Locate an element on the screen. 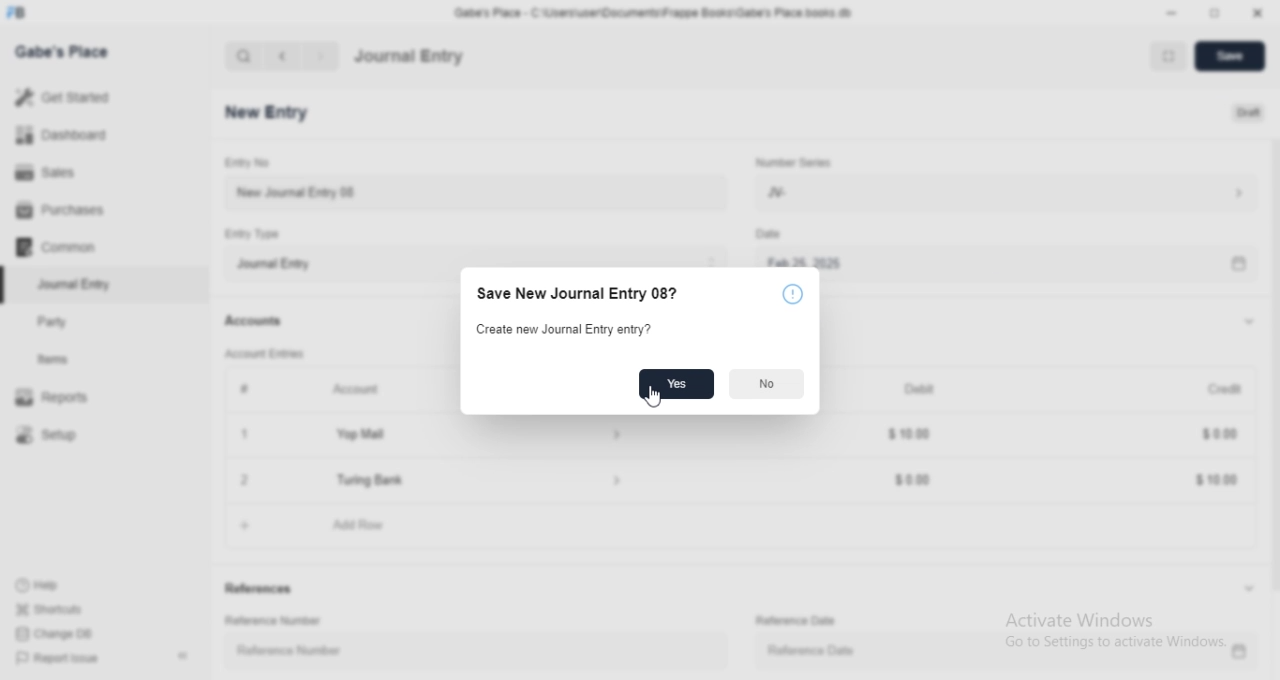 The image size is (1280, 680). No is located at coordinates (767, 384).